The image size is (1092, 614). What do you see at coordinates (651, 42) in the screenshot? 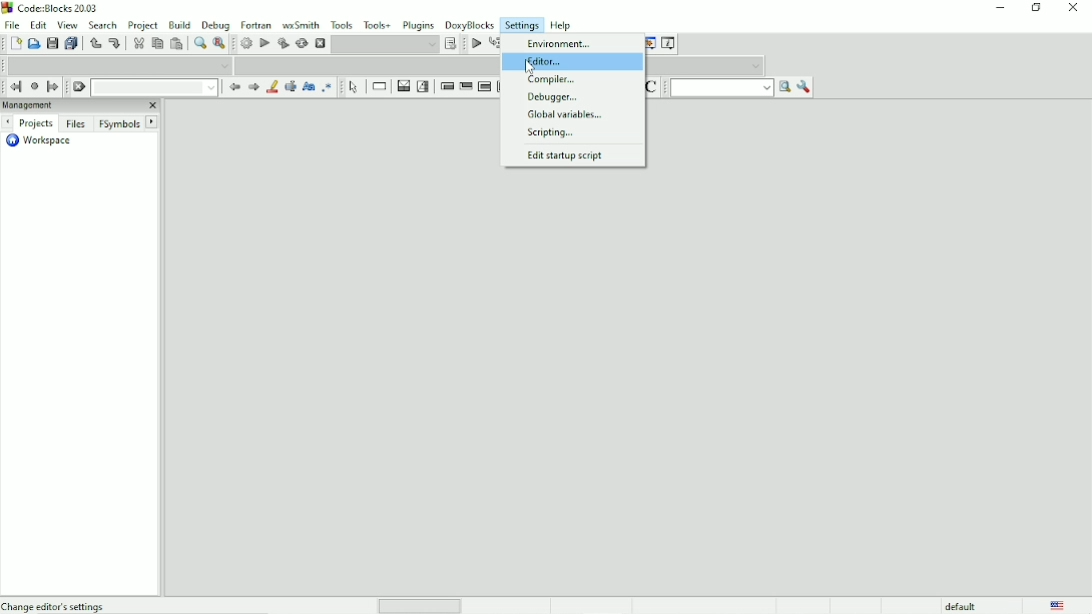
I see `Debugging windows` at bounding box center [651, 42].